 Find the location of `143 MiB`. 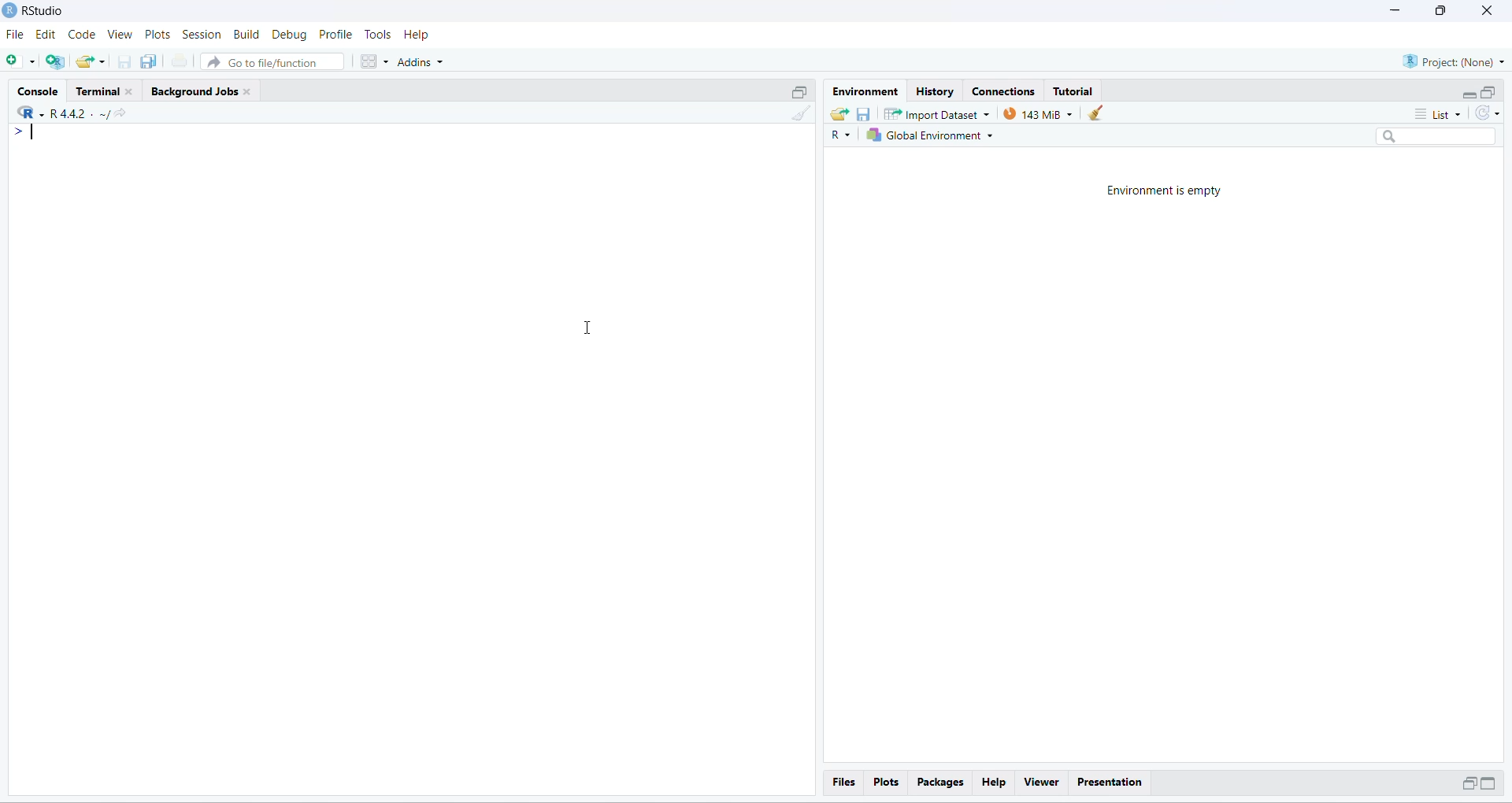

143 MiB is located at coordinates (1037, 113).